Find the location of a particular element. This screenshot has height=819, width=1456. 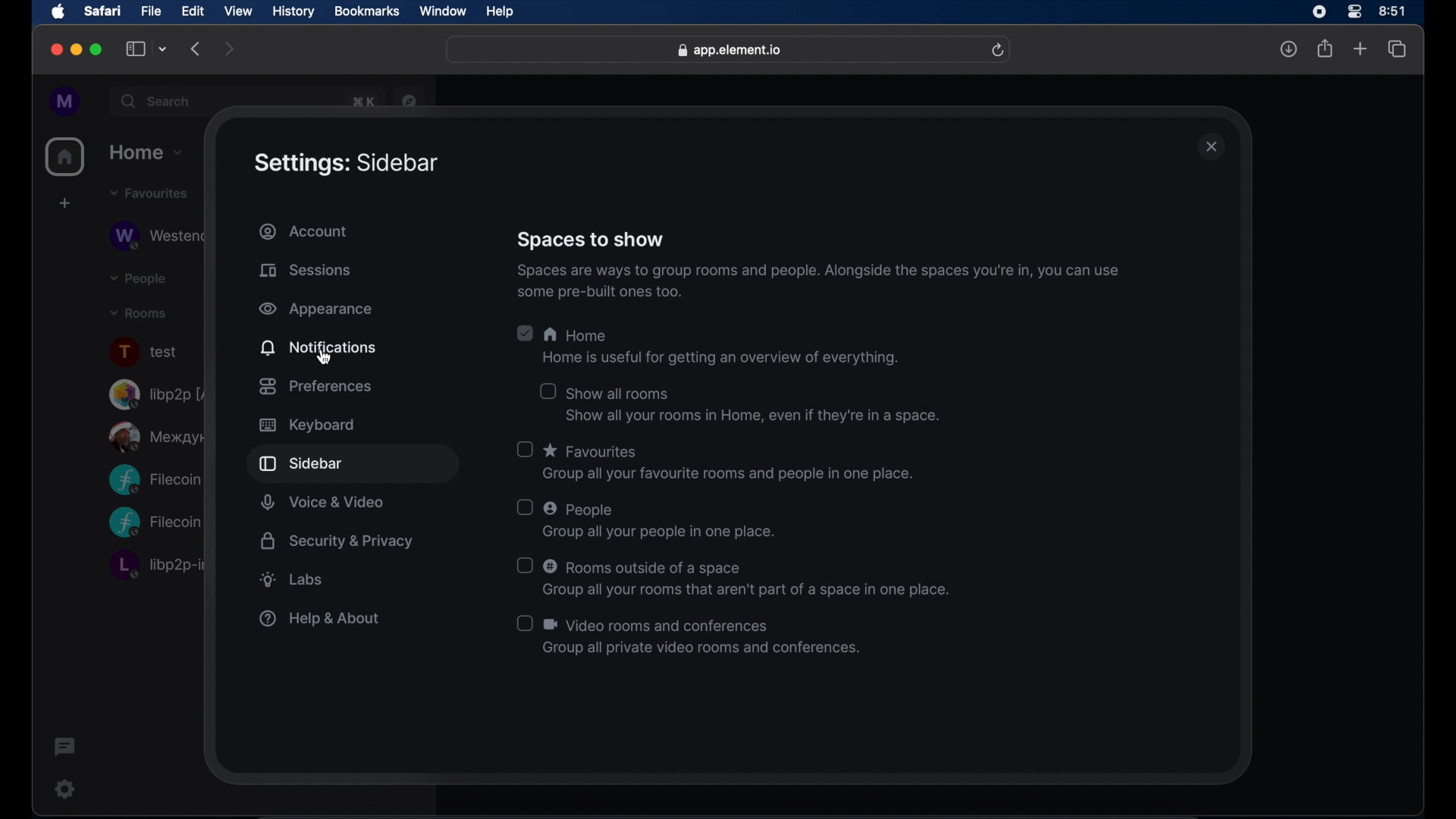

O show all rooms
Show all your rooms in Home, even if they're in a space. is located at coordinates (745, 401).